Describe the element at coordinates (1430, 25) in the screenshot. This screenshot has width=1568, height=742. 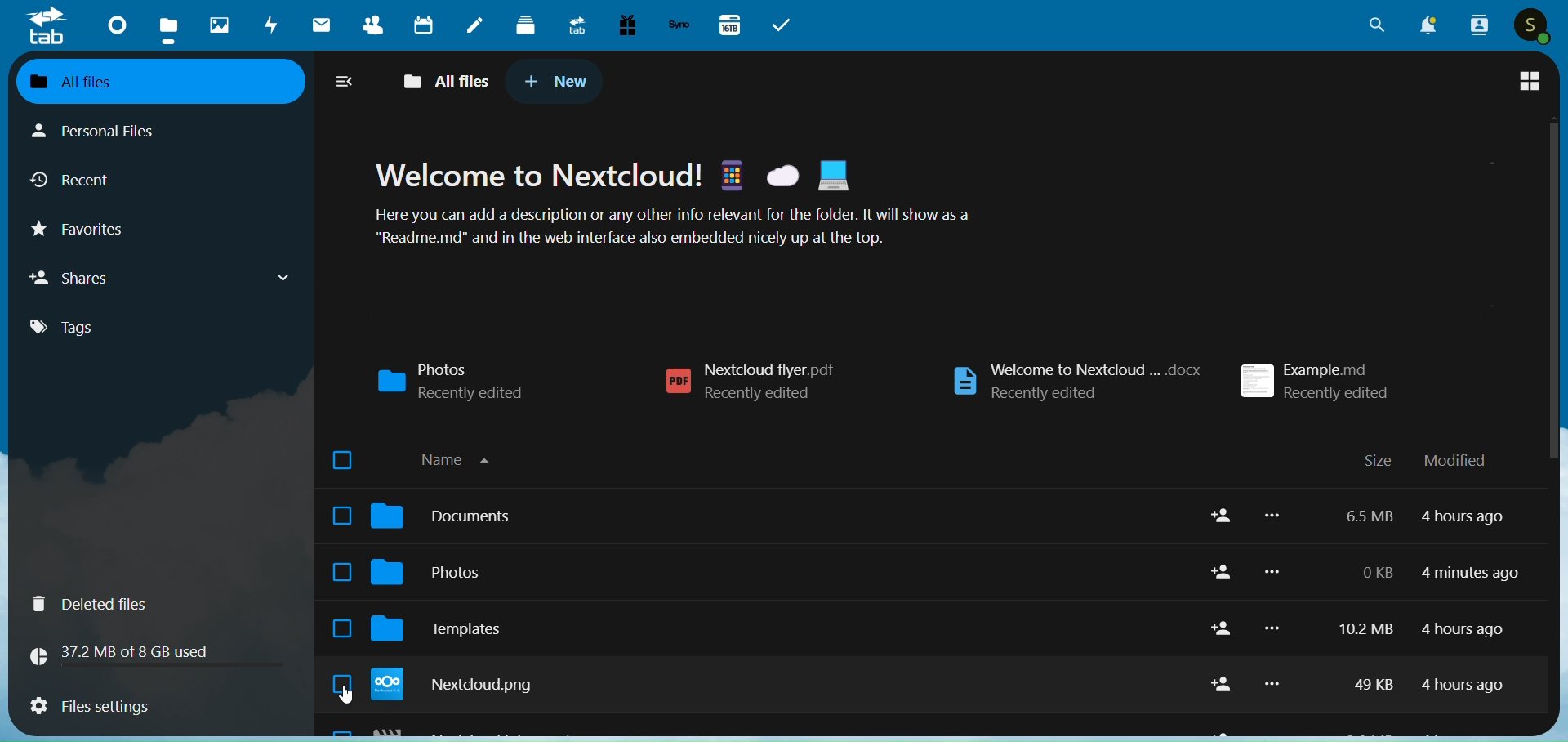
I see `notification` at that location.